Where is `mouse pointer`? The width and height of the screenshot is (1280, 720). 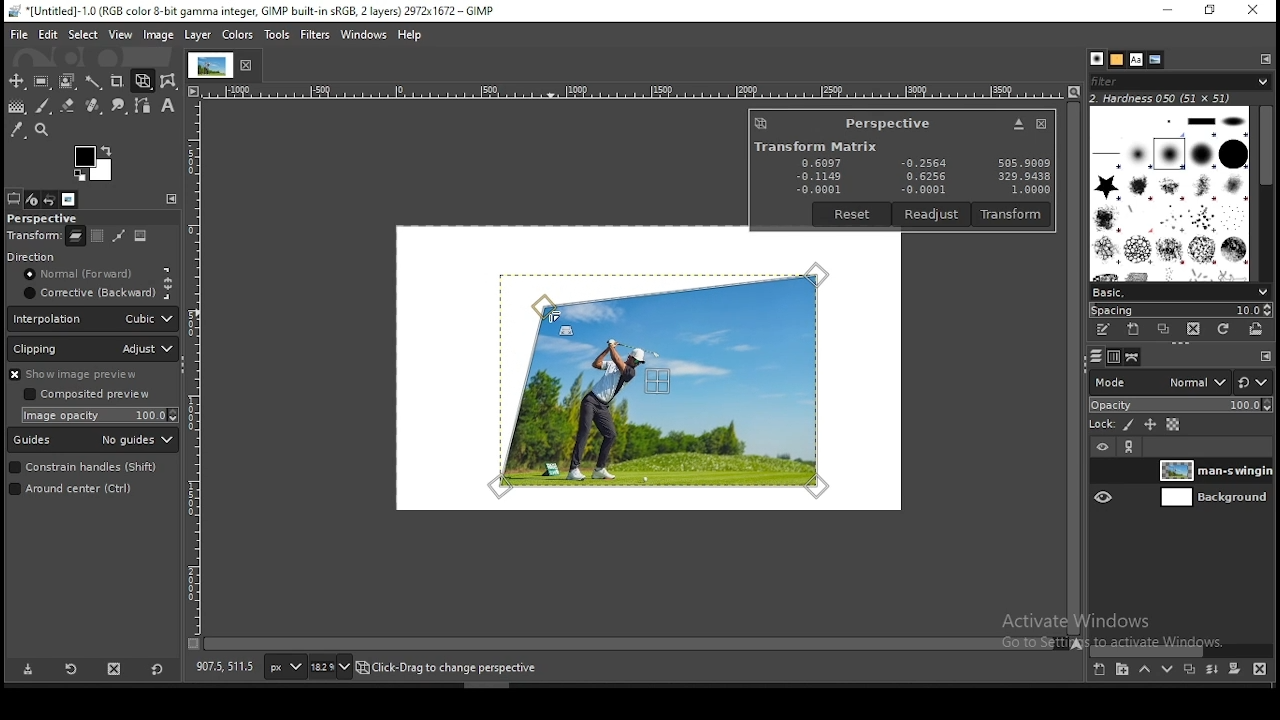
mouse pointer is located at coordinates (551, 316).